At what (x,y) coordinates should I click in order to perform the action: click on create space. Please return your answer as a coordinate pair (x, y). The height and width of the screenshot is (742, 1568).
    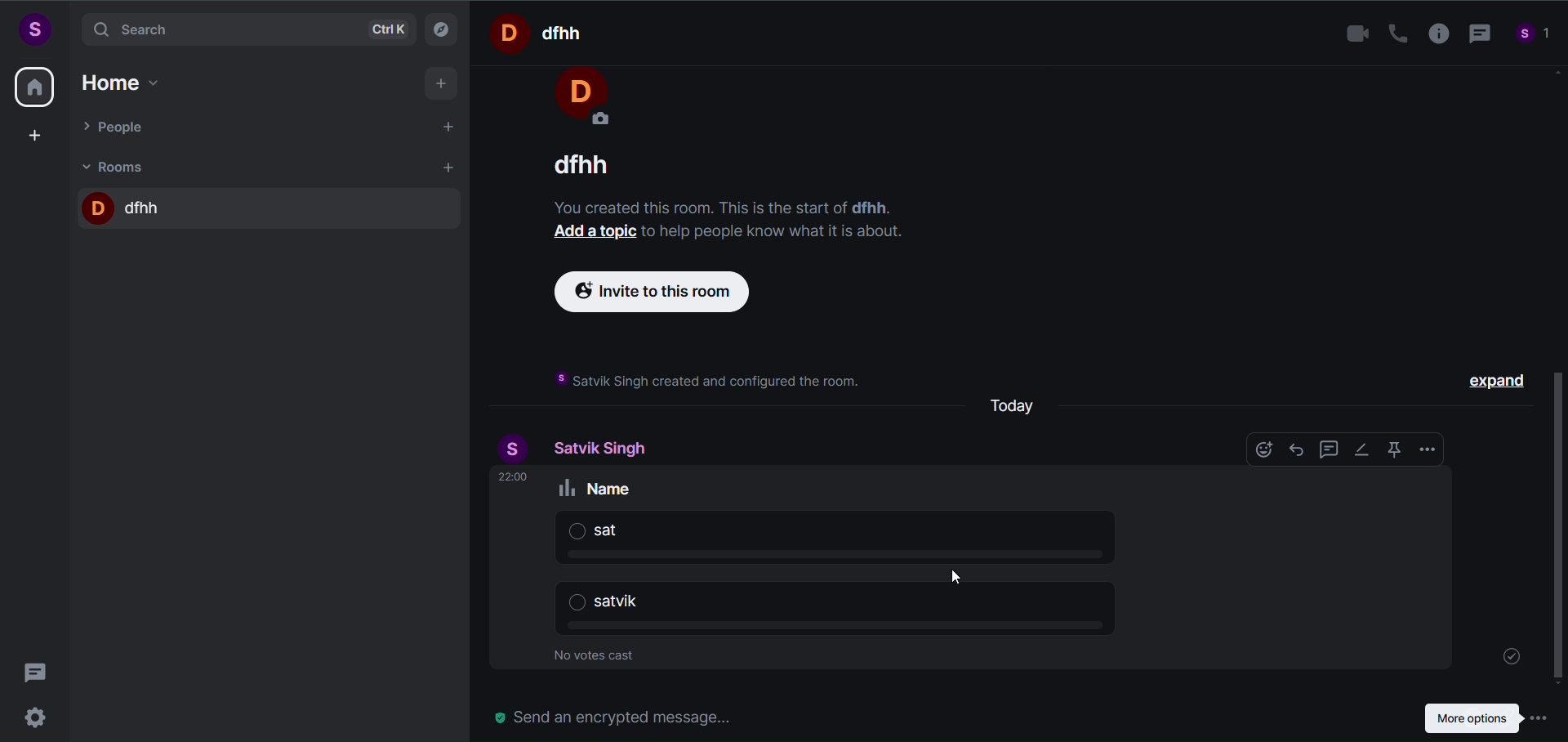
    Looking at the image, I should click on (35, 135).